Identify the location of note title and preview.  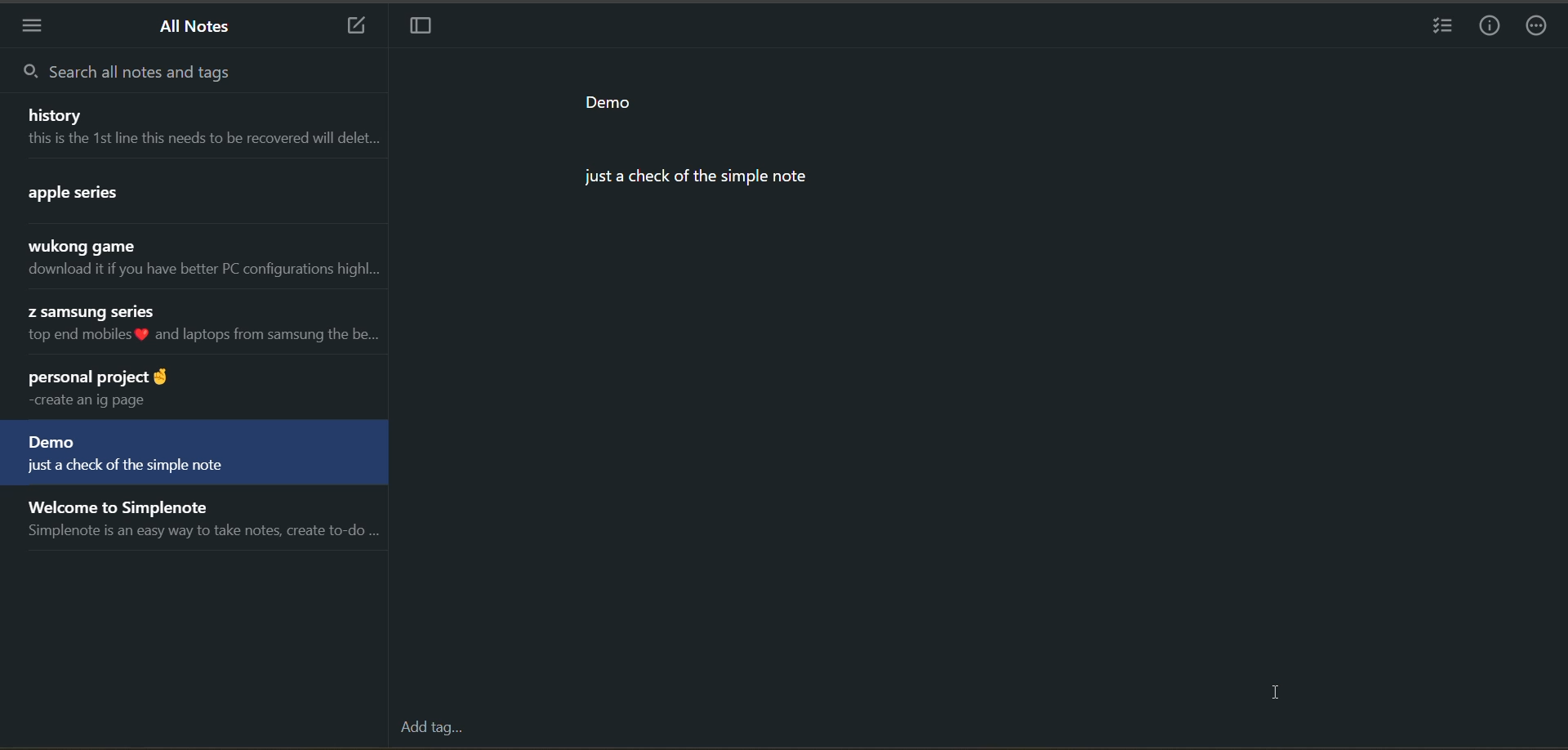
(189, 389).